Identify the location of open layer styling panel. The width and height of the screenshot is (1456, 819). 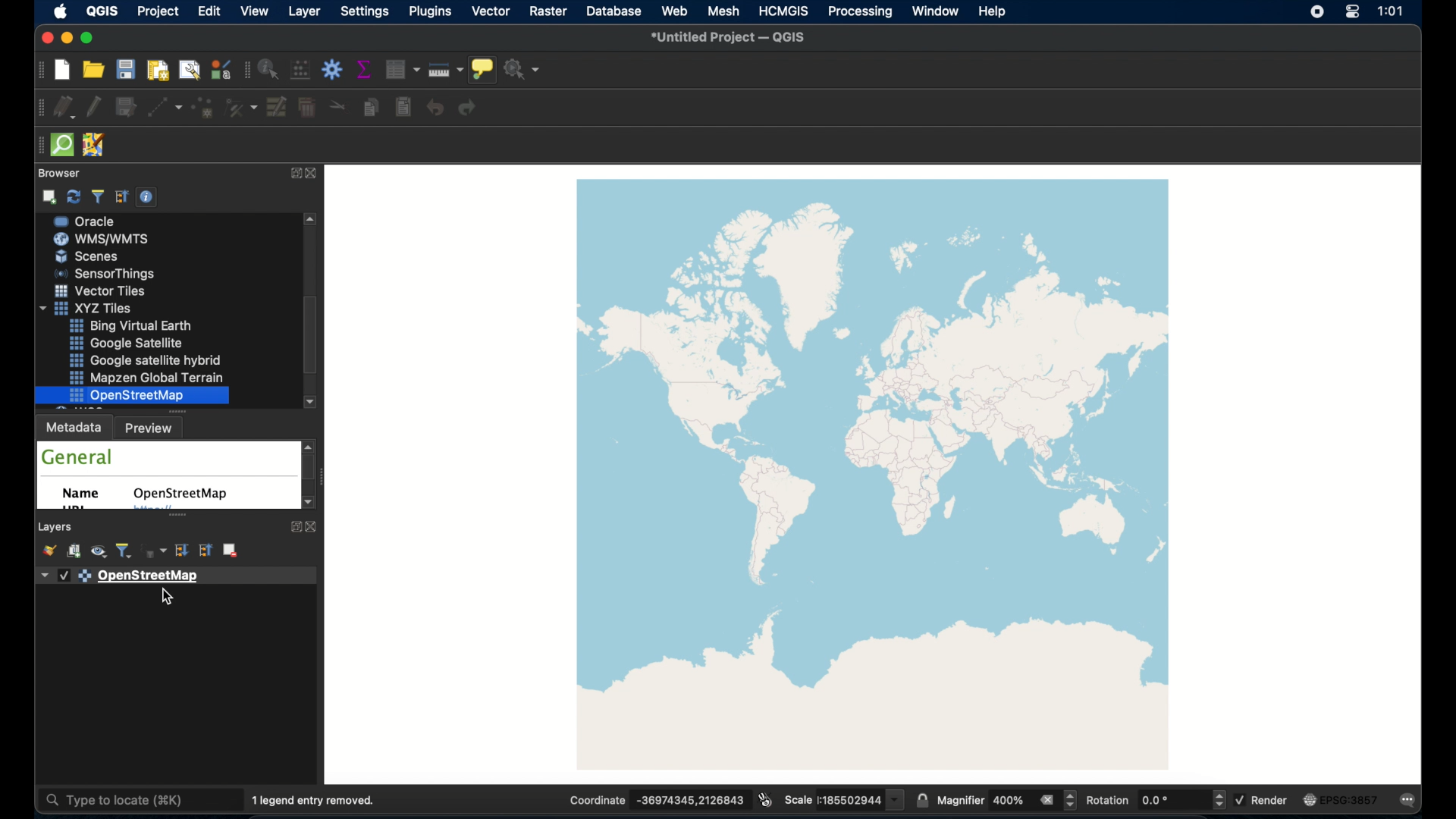
(47, 552).